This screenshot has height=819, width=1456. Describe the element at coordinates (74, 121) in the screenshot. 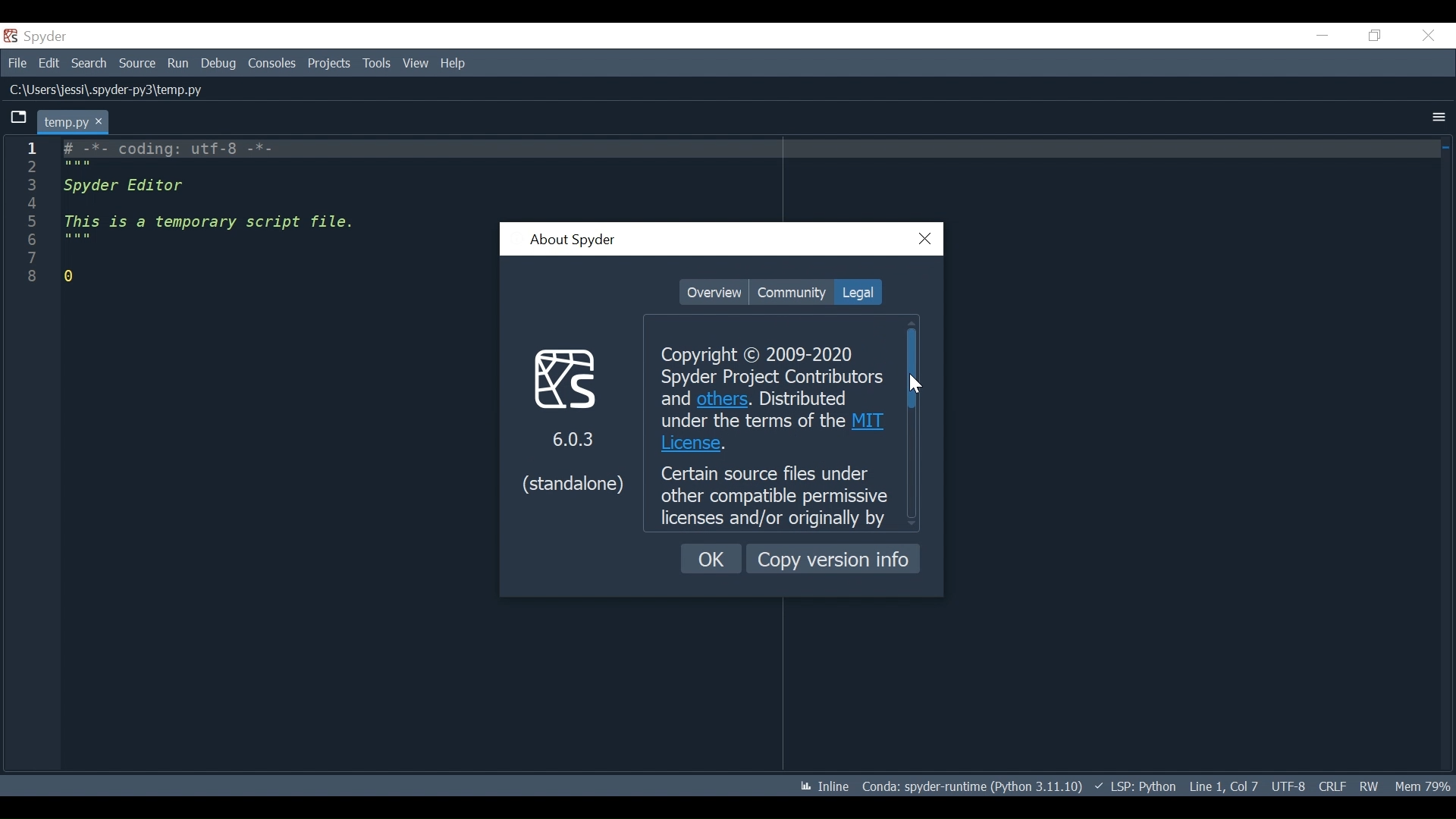

I see `Current tab` at that location.